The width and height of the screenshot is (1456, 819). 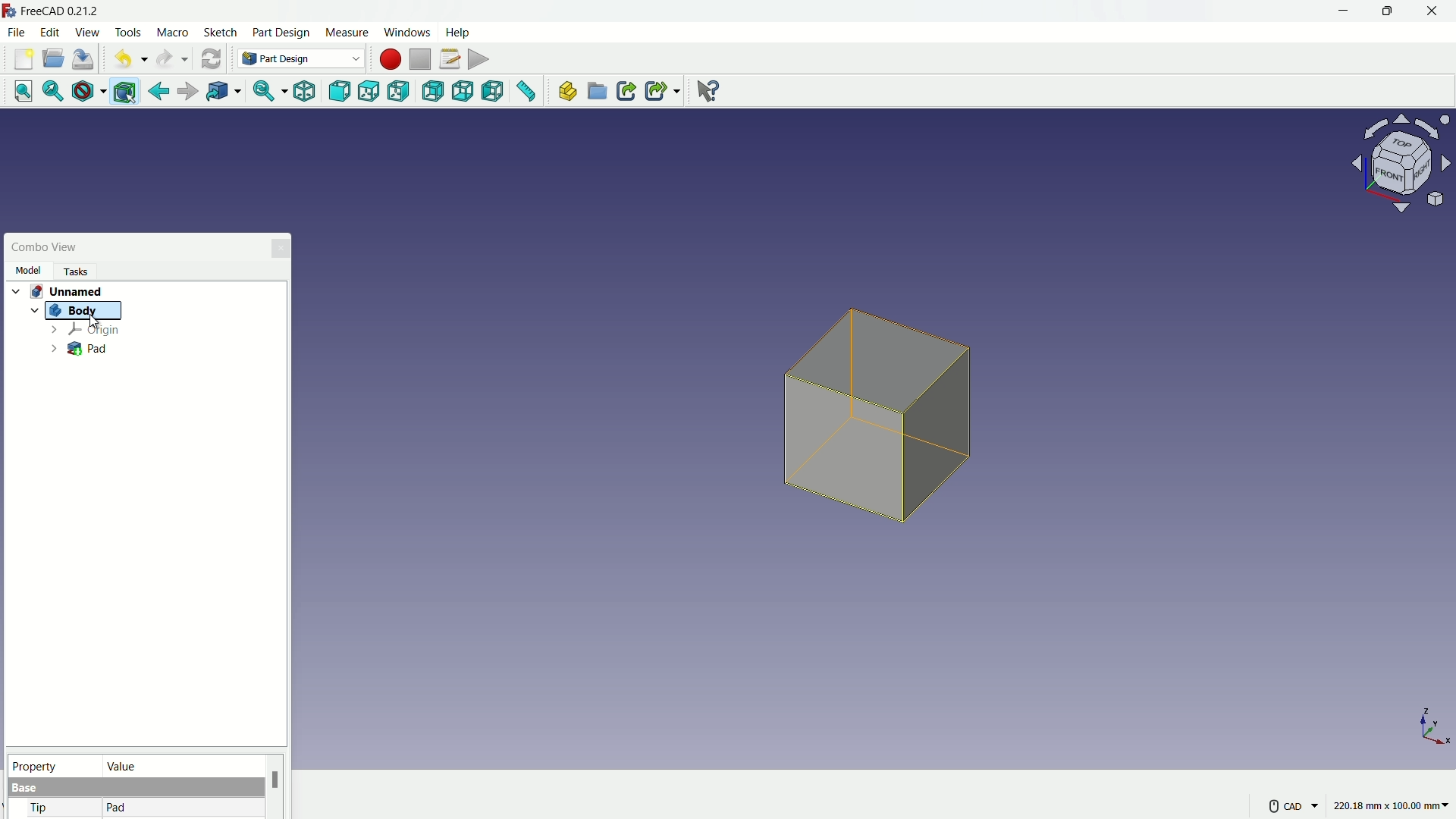 What do you see at coordinates (16, 31) in the screenshot?
I see `file` at bounding box center [16, 31].